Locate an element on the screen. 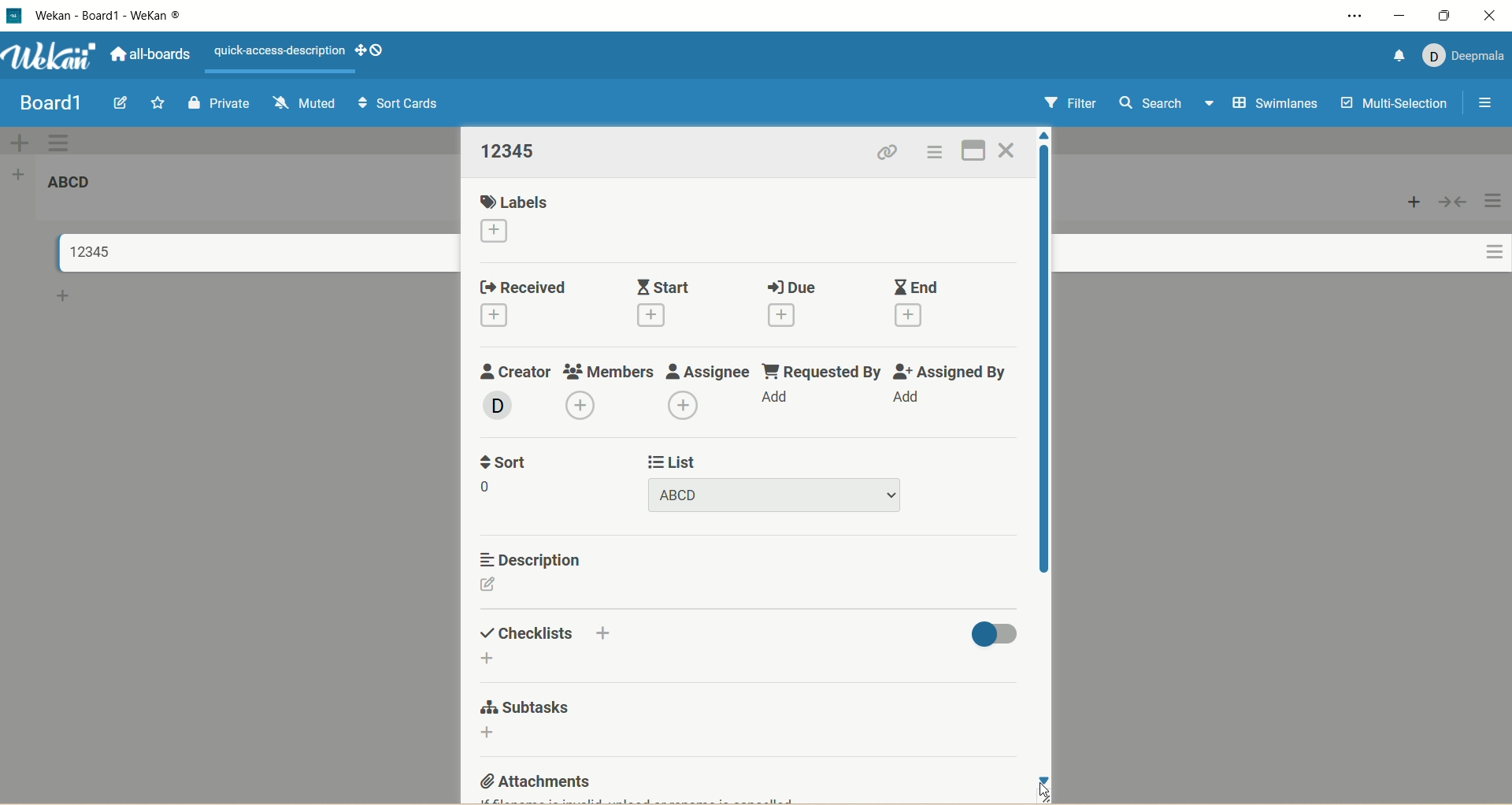  attachments is located at coordinates (533, 785).